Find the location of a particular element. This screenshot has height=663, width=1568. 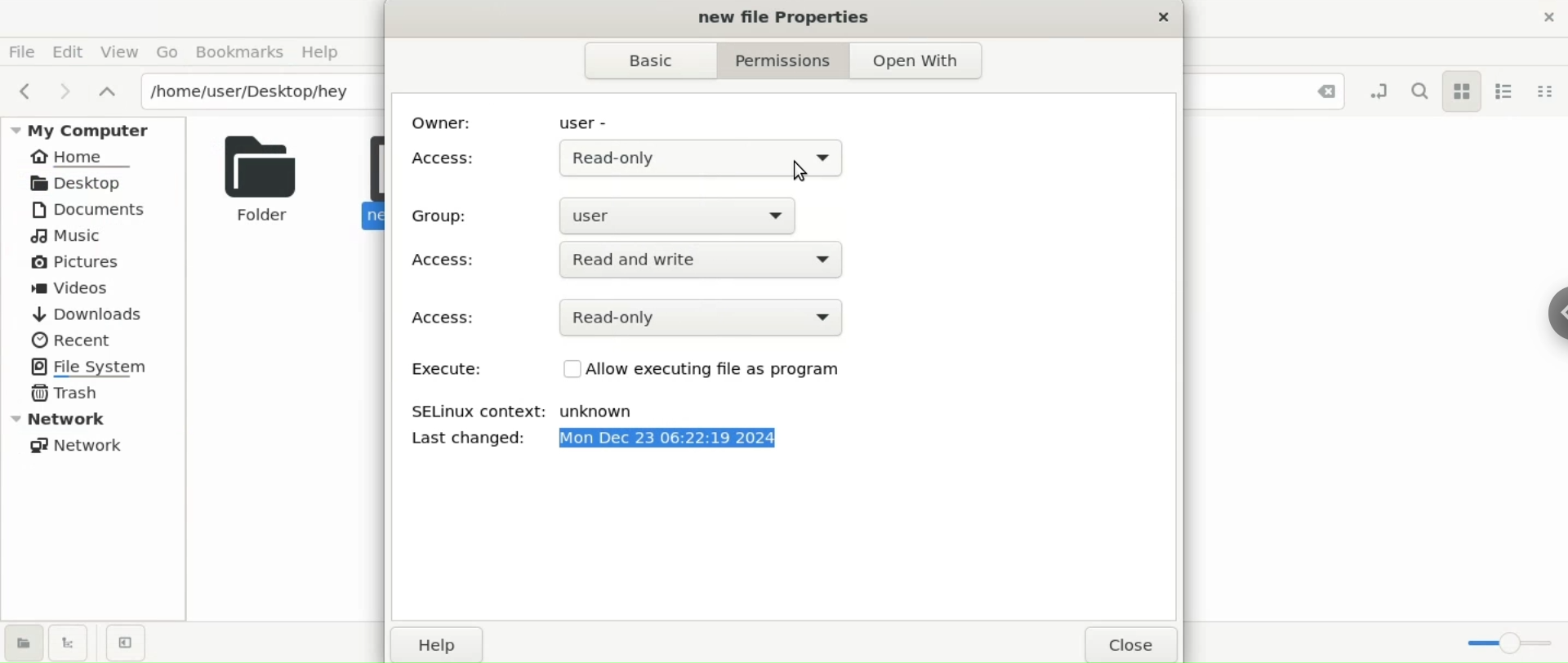

Allow executing file as program is located at coordinates (716, 370).